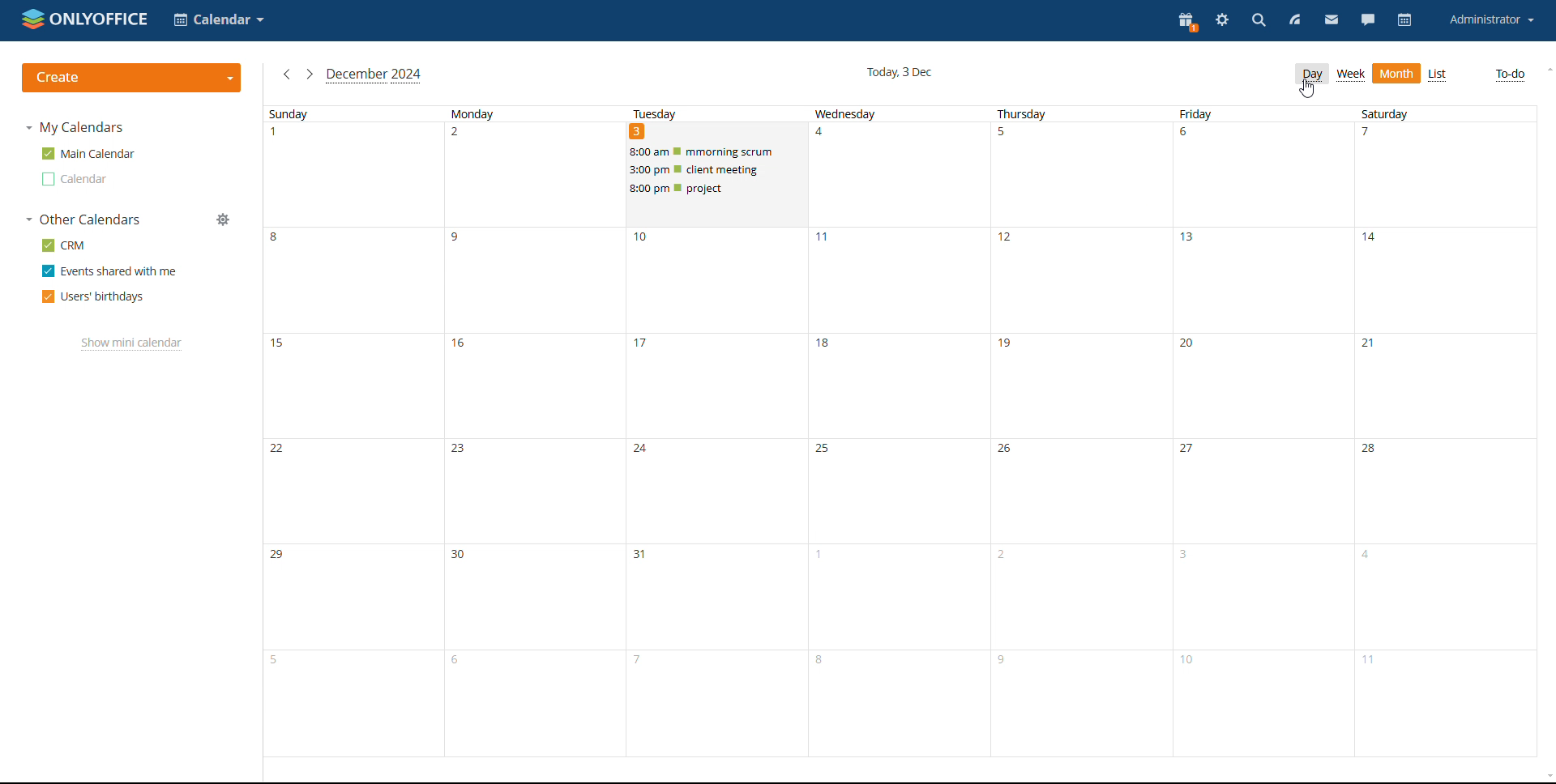 This screenshot has height=784, width=1556. Describe the element at coordinates (714, 479) in the screenshot. I see `tuesday` at that location.